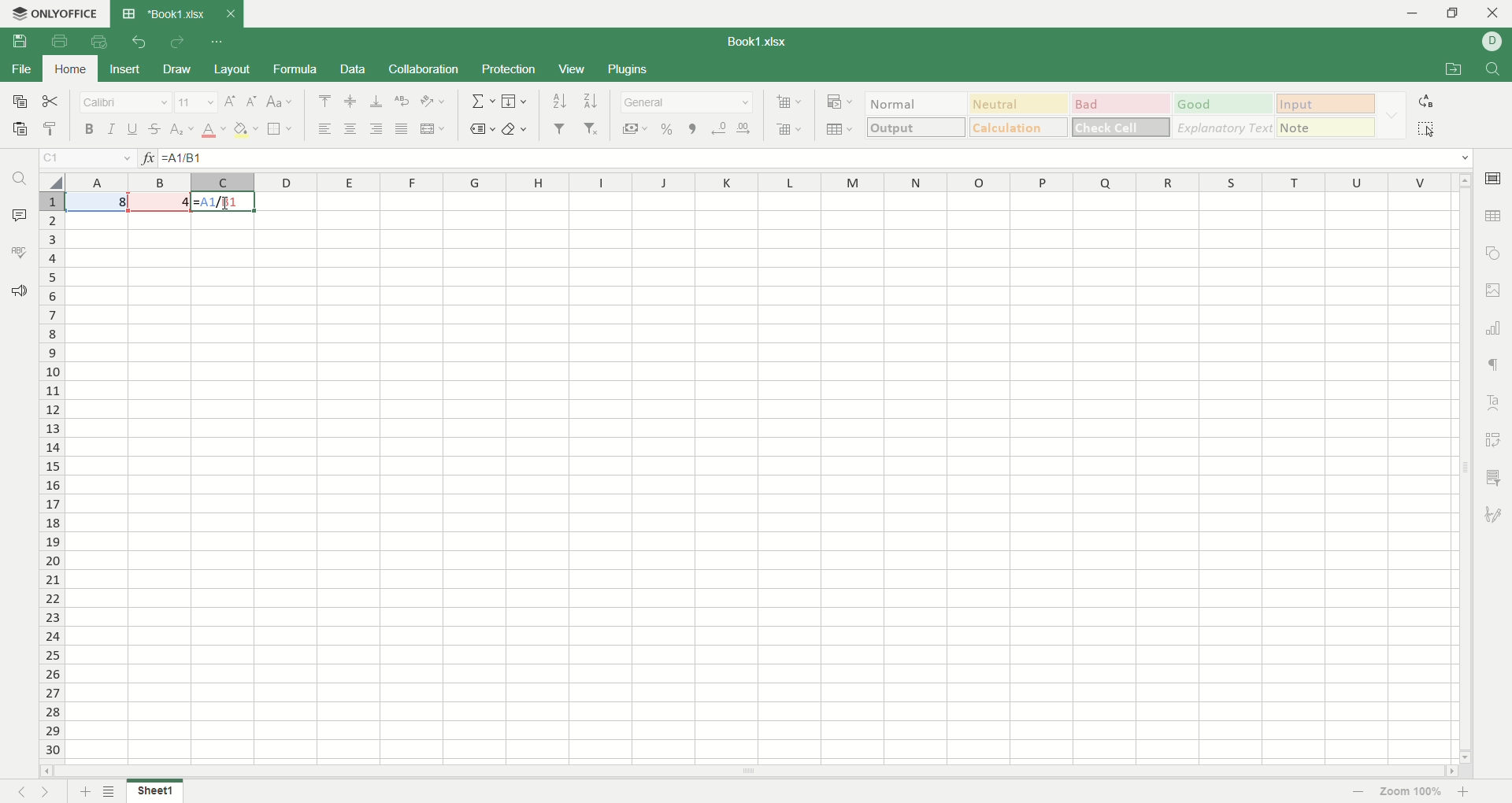 Image resolution: width=1512 pixels, height=803 pixels. I want to click on save, so click(21, 41).